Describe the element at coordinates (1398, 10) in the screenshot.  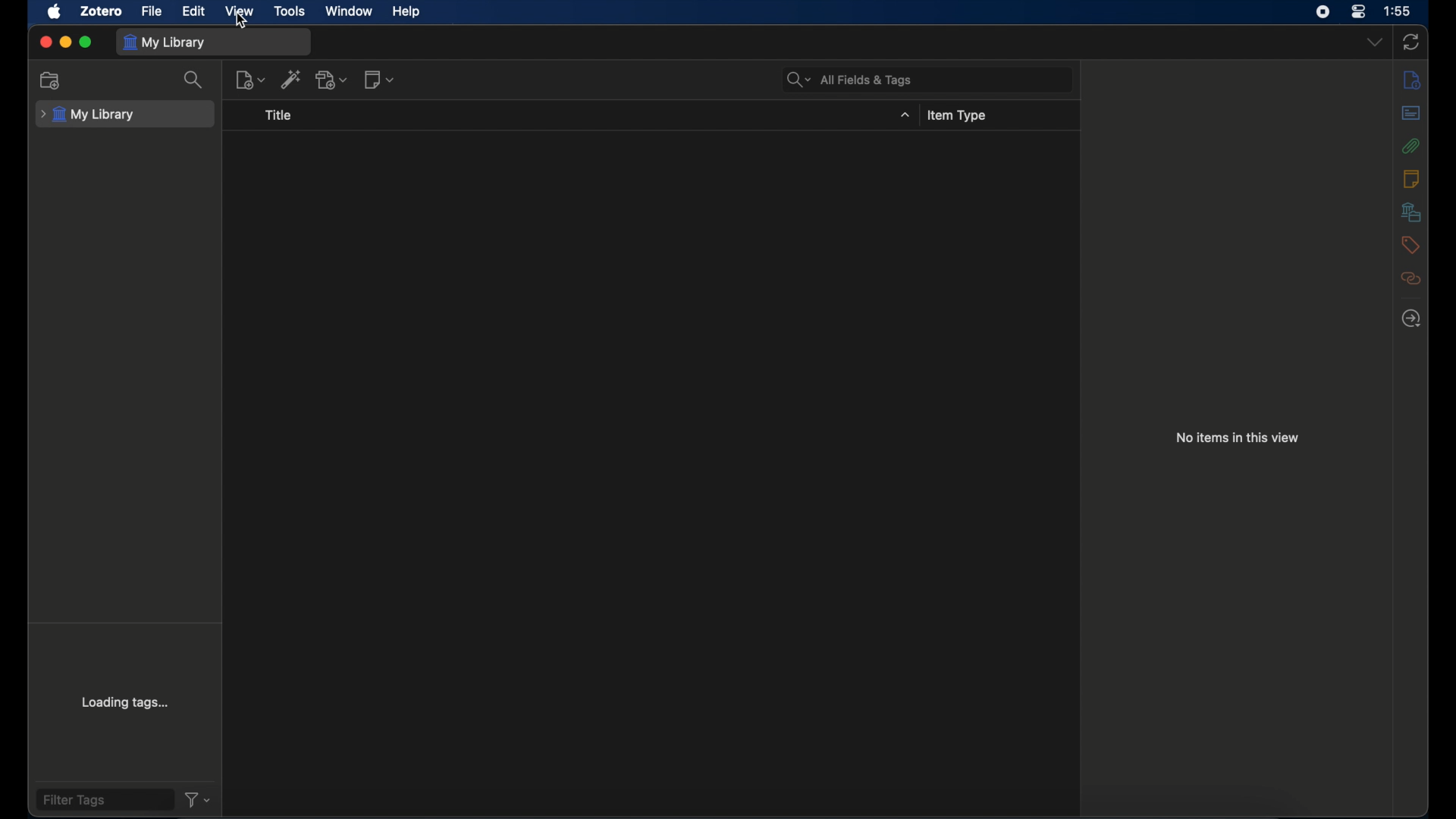
I see `time` at that location.